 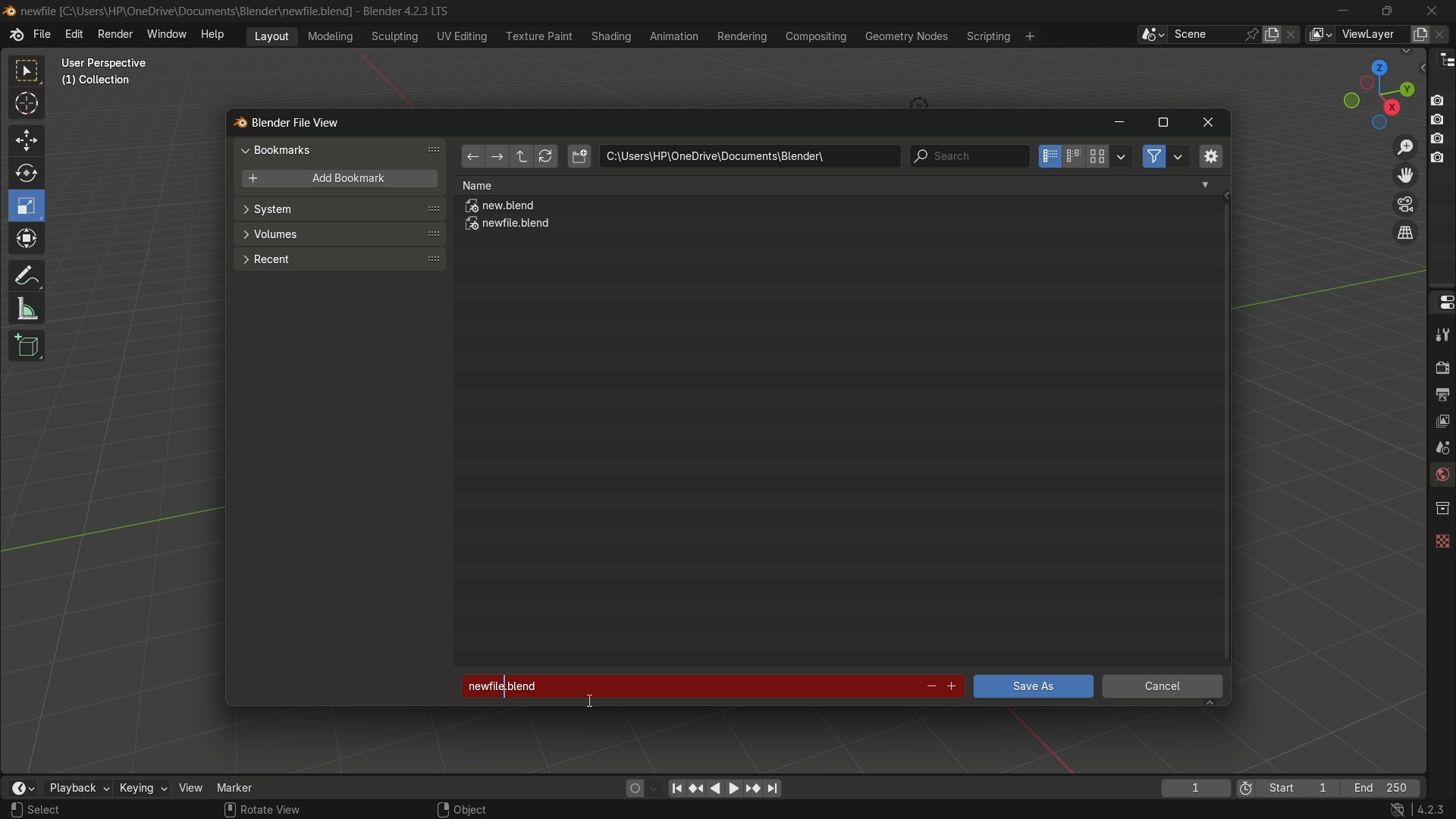 I want to click on Name, so click(x=836, y=185).